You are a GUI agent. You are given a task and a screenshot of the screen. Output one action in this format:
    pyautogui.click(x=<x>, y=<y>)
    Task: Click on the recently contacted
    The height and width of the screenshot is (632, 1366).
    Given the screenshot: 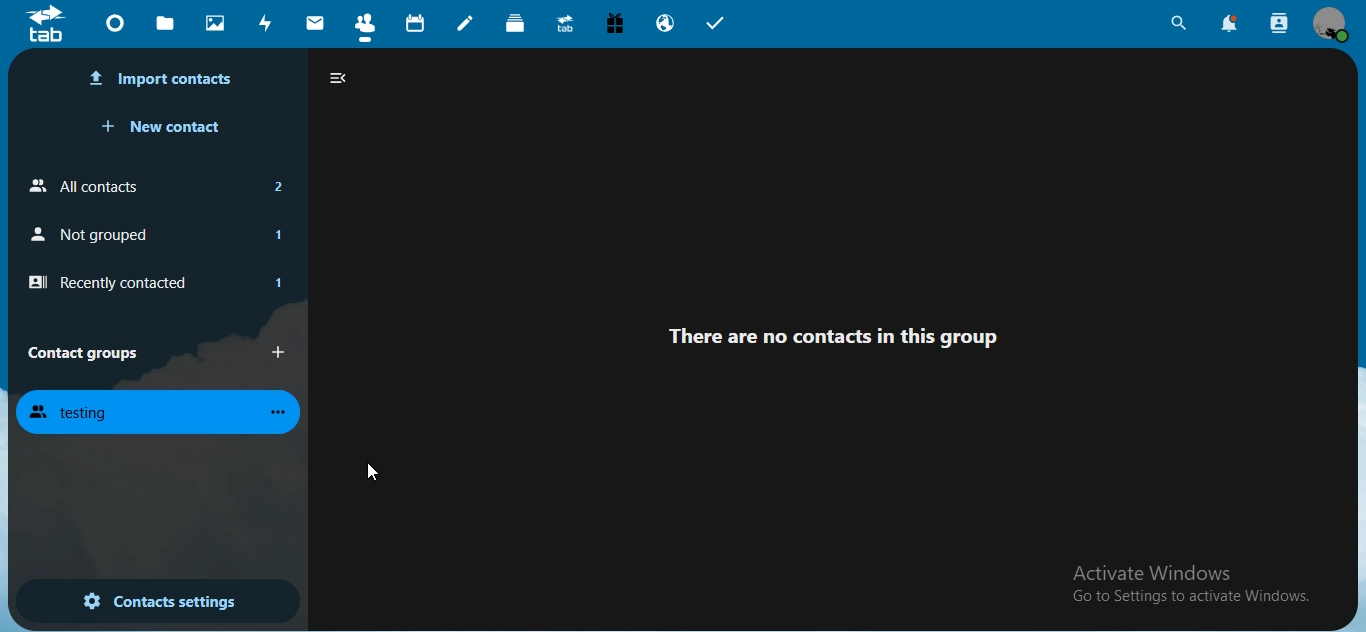 What is the action you would take?
    pyautogui.click(x=153, y=283)
    